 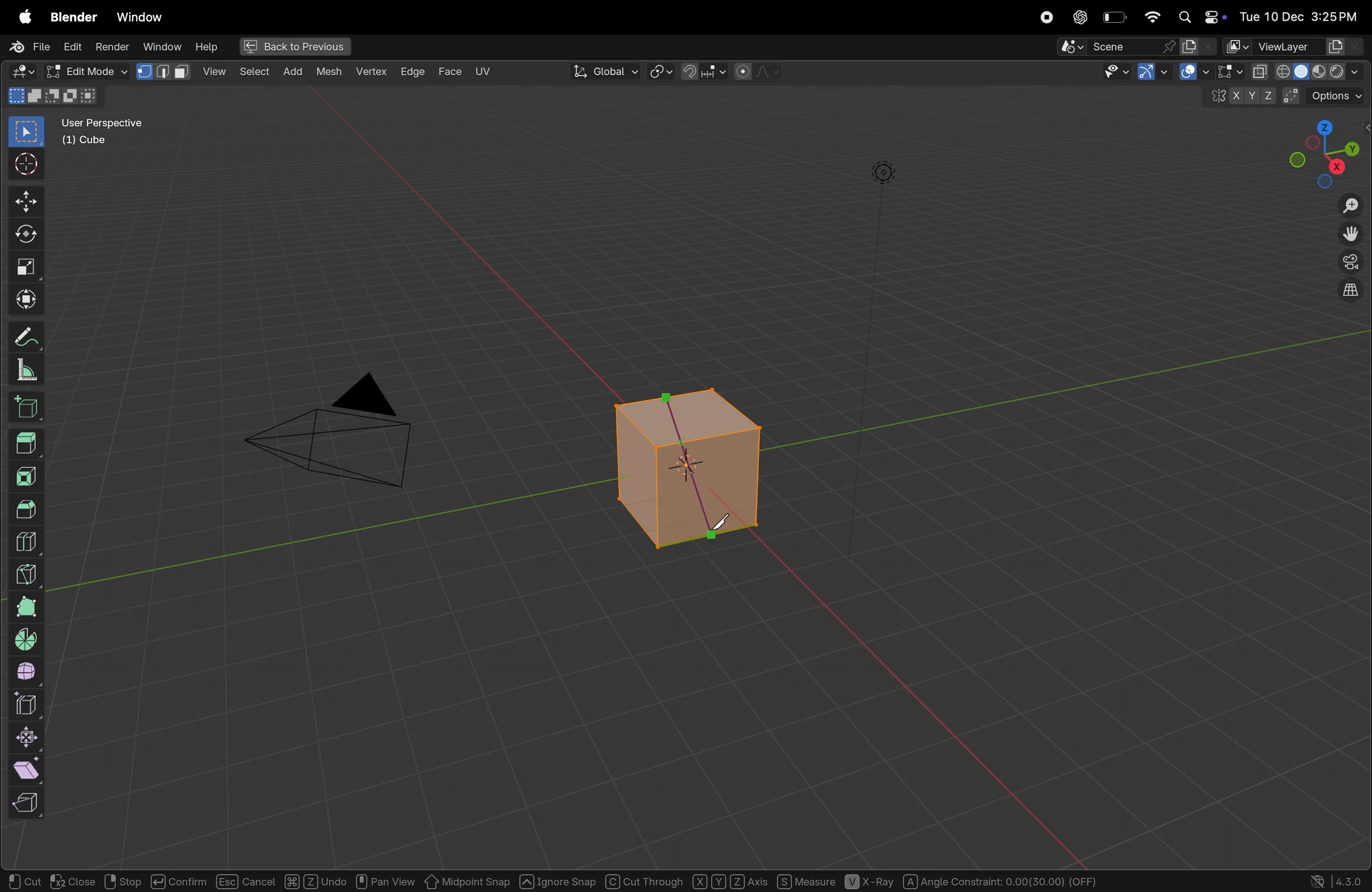 What do you see at coordinates (24, 803) in the screenshot?
I see `reep region` at bounding box center [24, 803].